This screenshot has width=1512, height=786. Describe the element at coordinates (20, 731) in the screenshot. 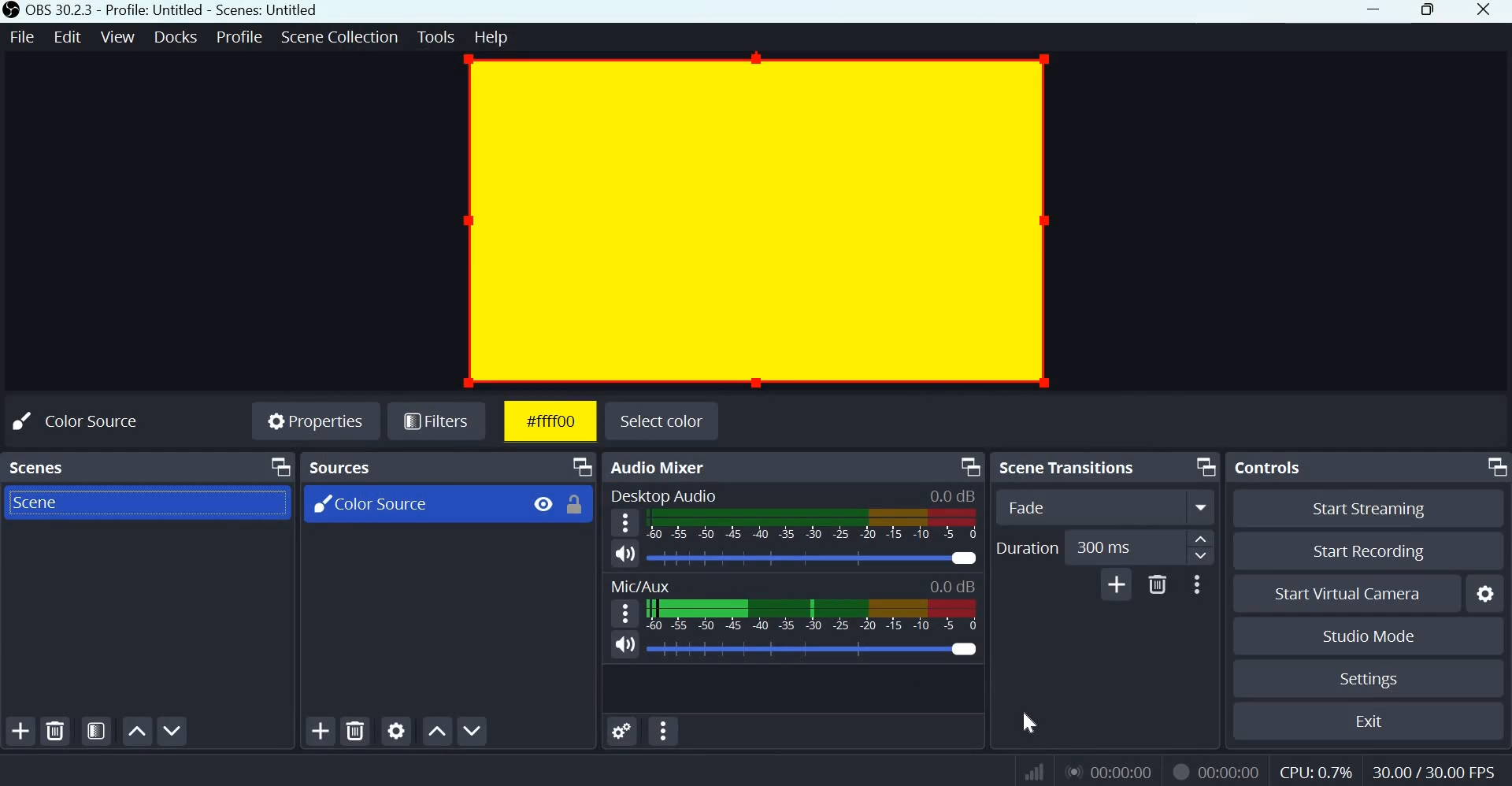

I see `add scene` at that location.